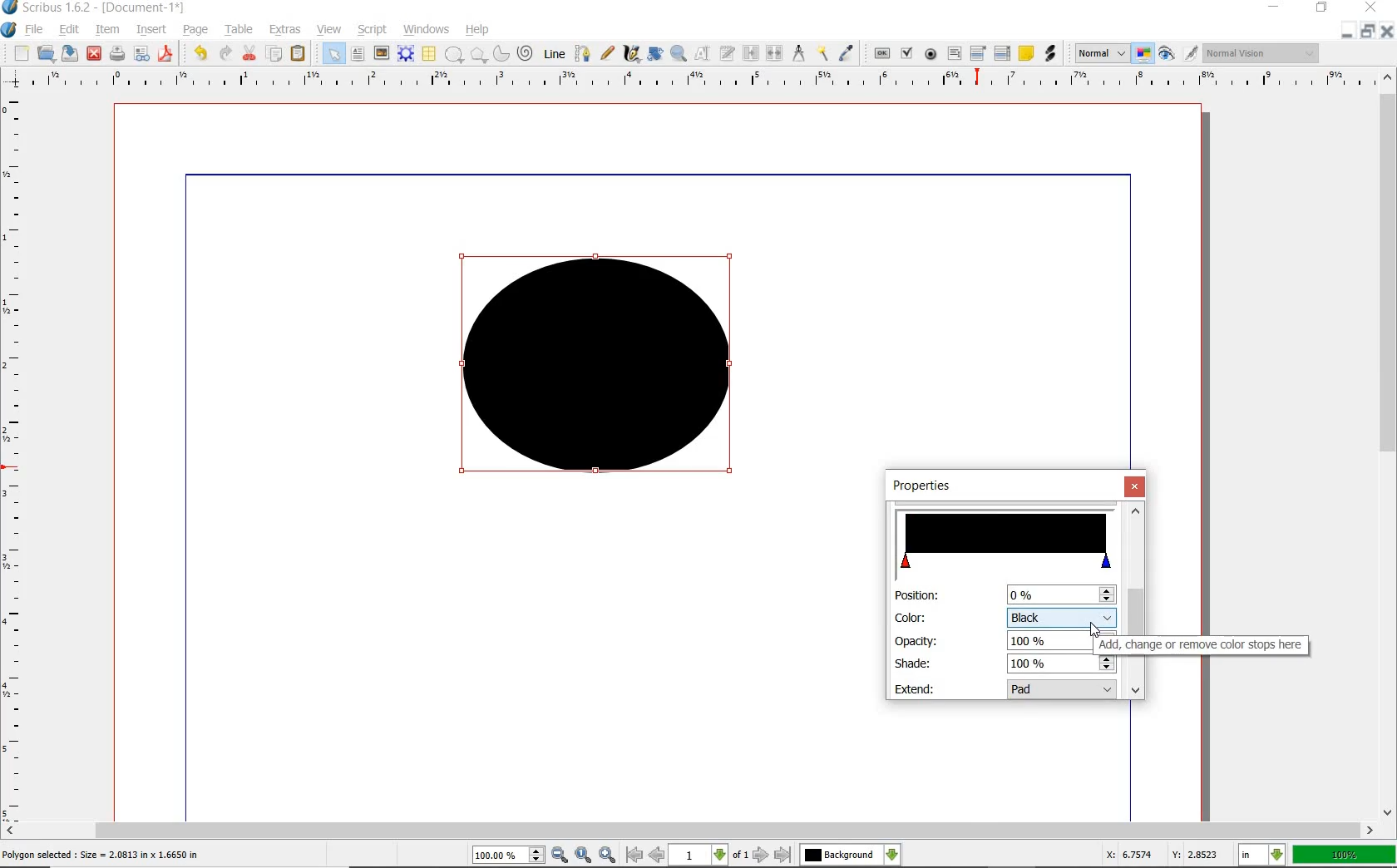 The height and width of the screenshot is (868, 1397). Describe the element at coordinates (906, 52) in the screenshot. I see `PDF CHECK BOX` at that location.